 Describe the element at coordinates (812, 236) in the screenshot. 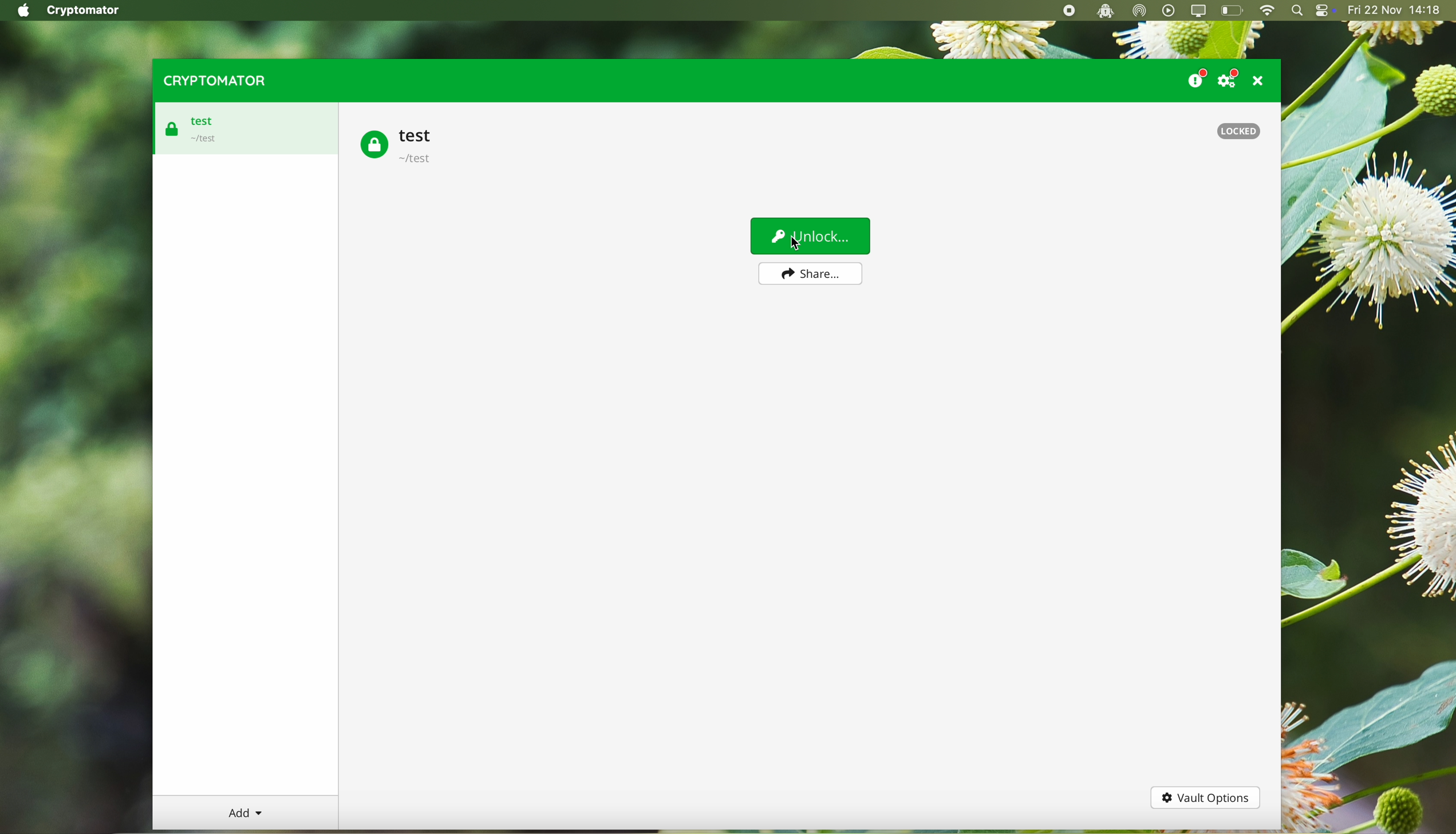

I see `unlock` at that location.